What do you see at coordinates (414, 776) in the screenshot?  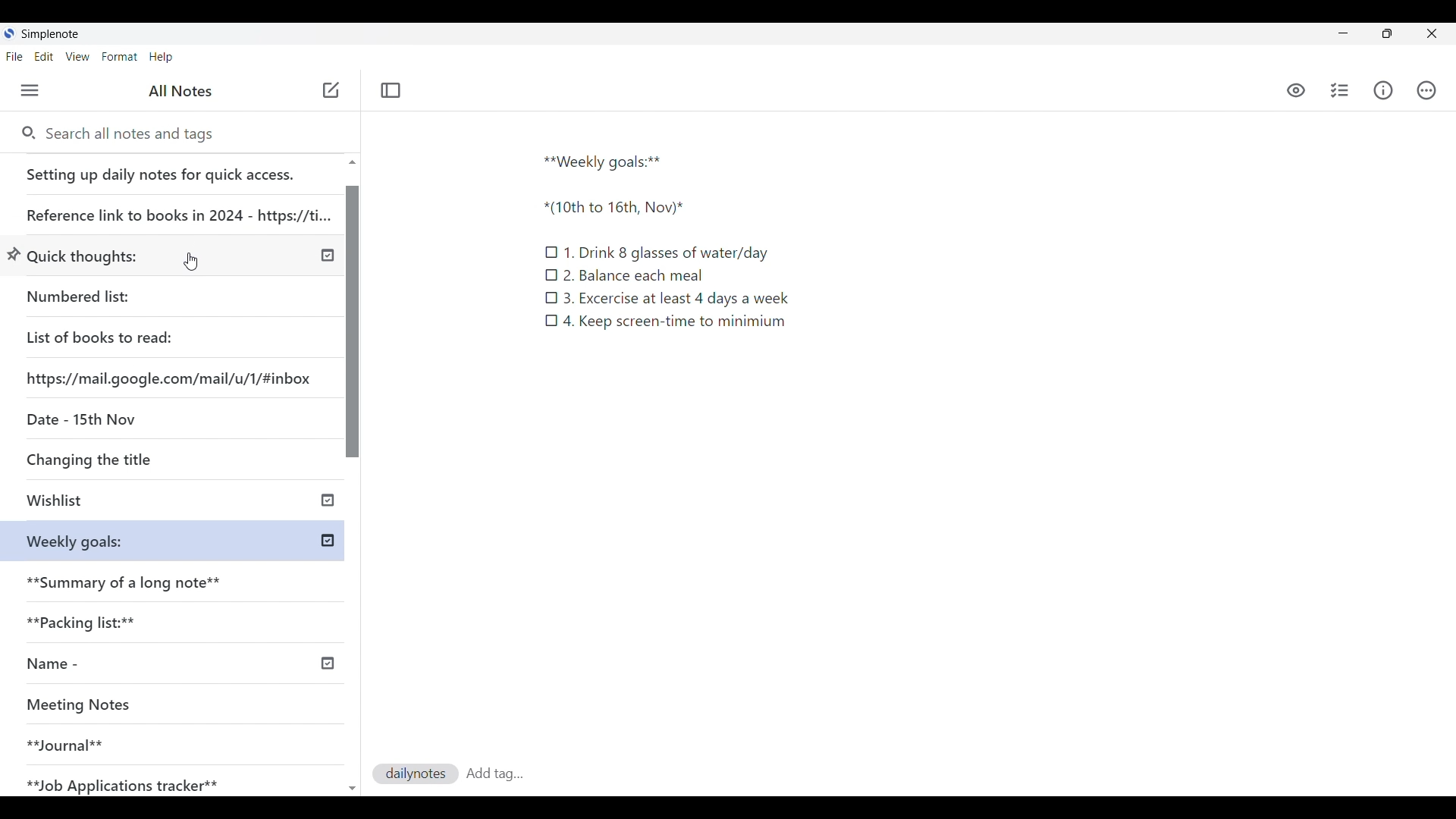 I see `dailynotes` at bounding box center [414, 776].